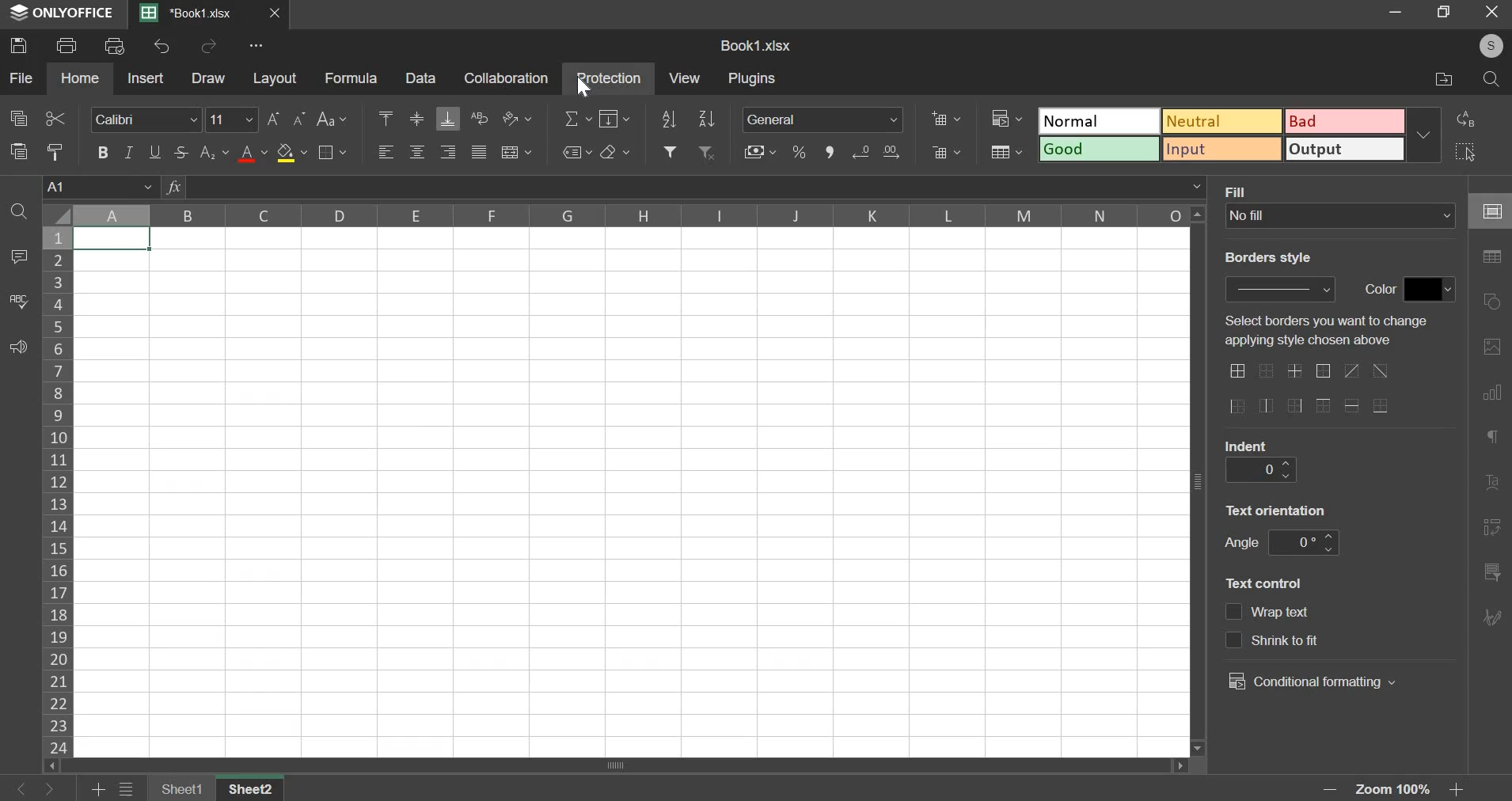 This screenshot has width=1512, height=801. Describe the element at coordinates (255, 788) in the screenshot. I see `sheet` at that location.